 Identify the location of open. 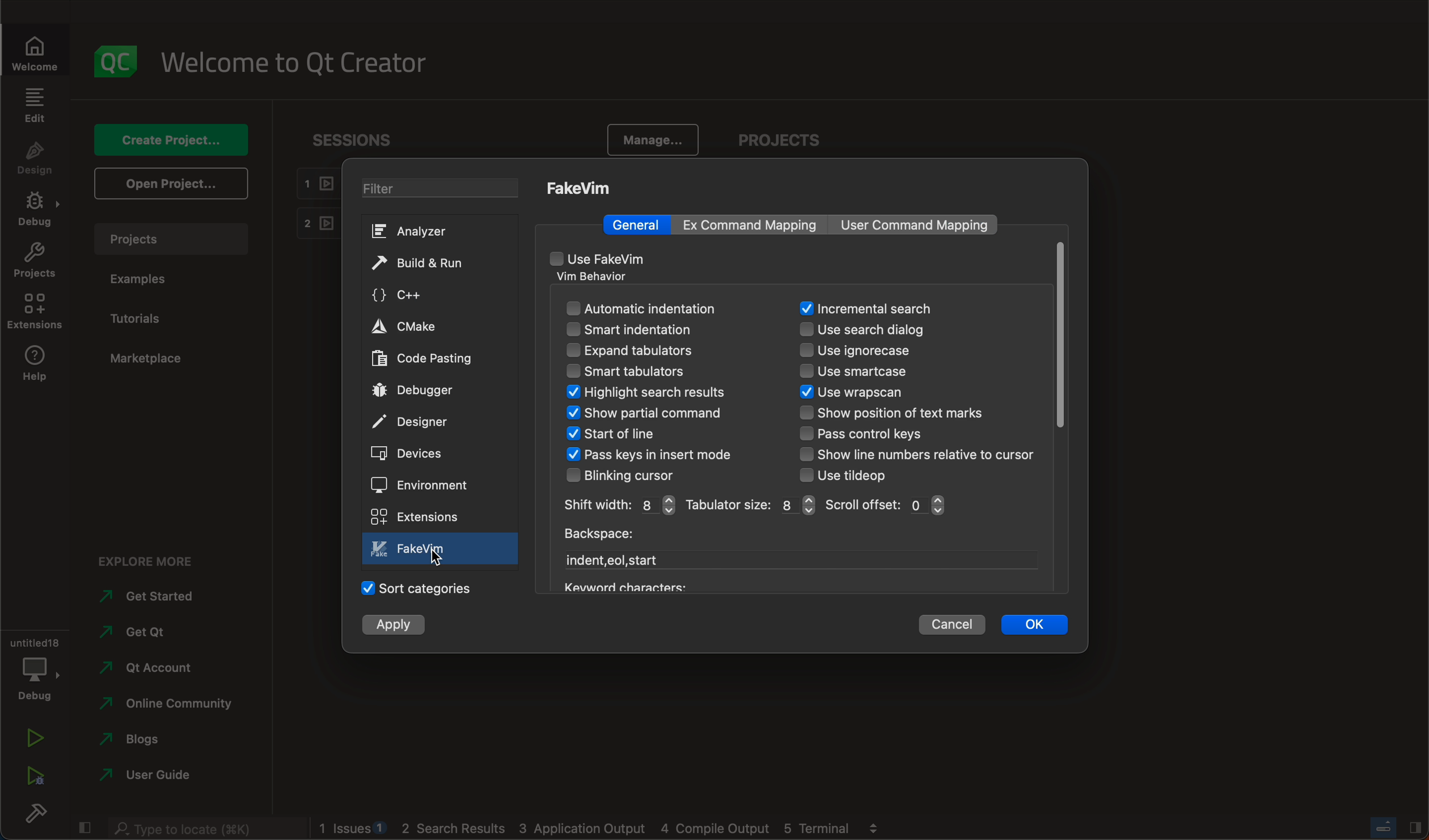
(173, 183).